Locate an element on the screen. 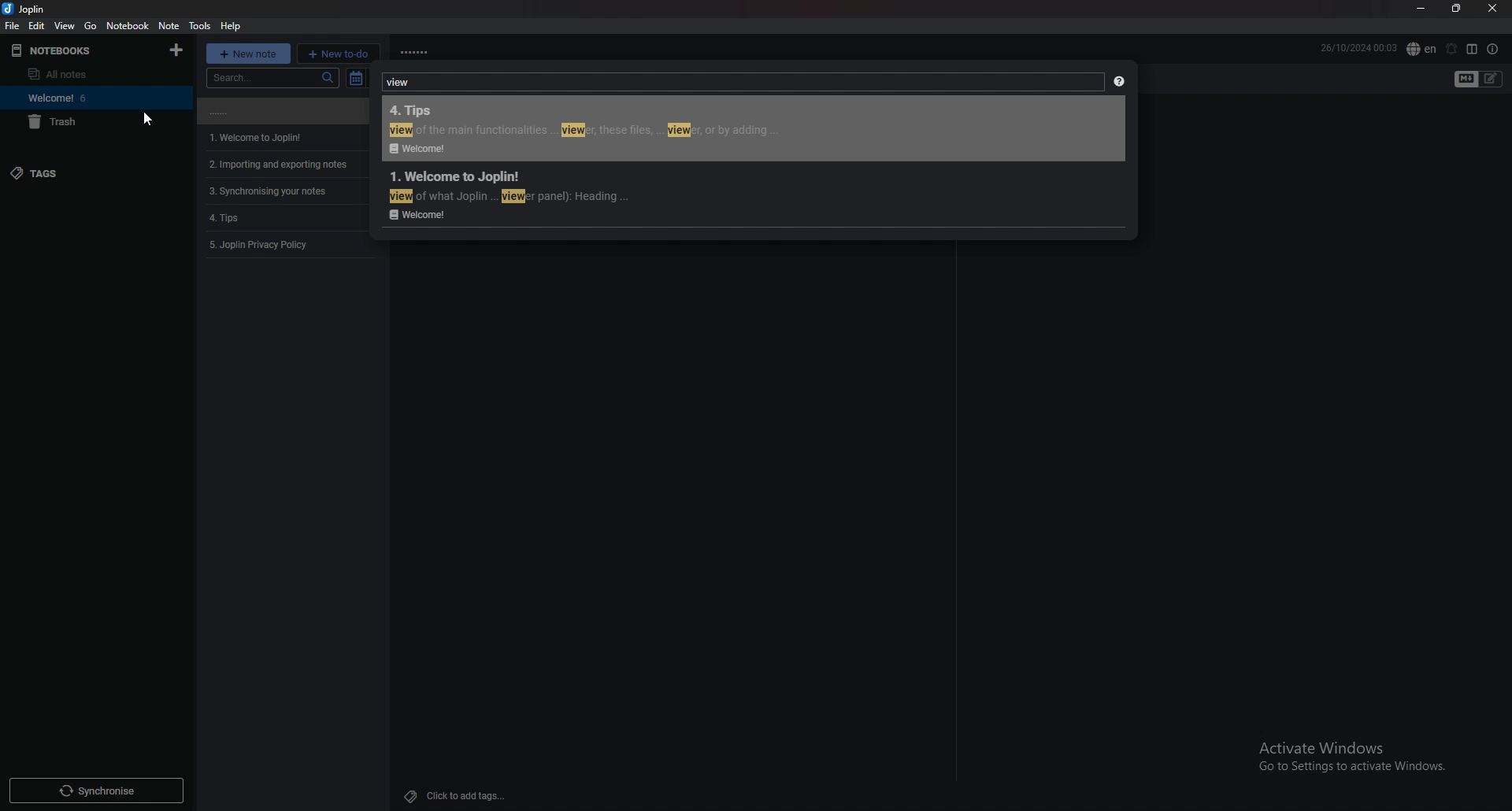  note 4 is located at coordinates (288, 191).